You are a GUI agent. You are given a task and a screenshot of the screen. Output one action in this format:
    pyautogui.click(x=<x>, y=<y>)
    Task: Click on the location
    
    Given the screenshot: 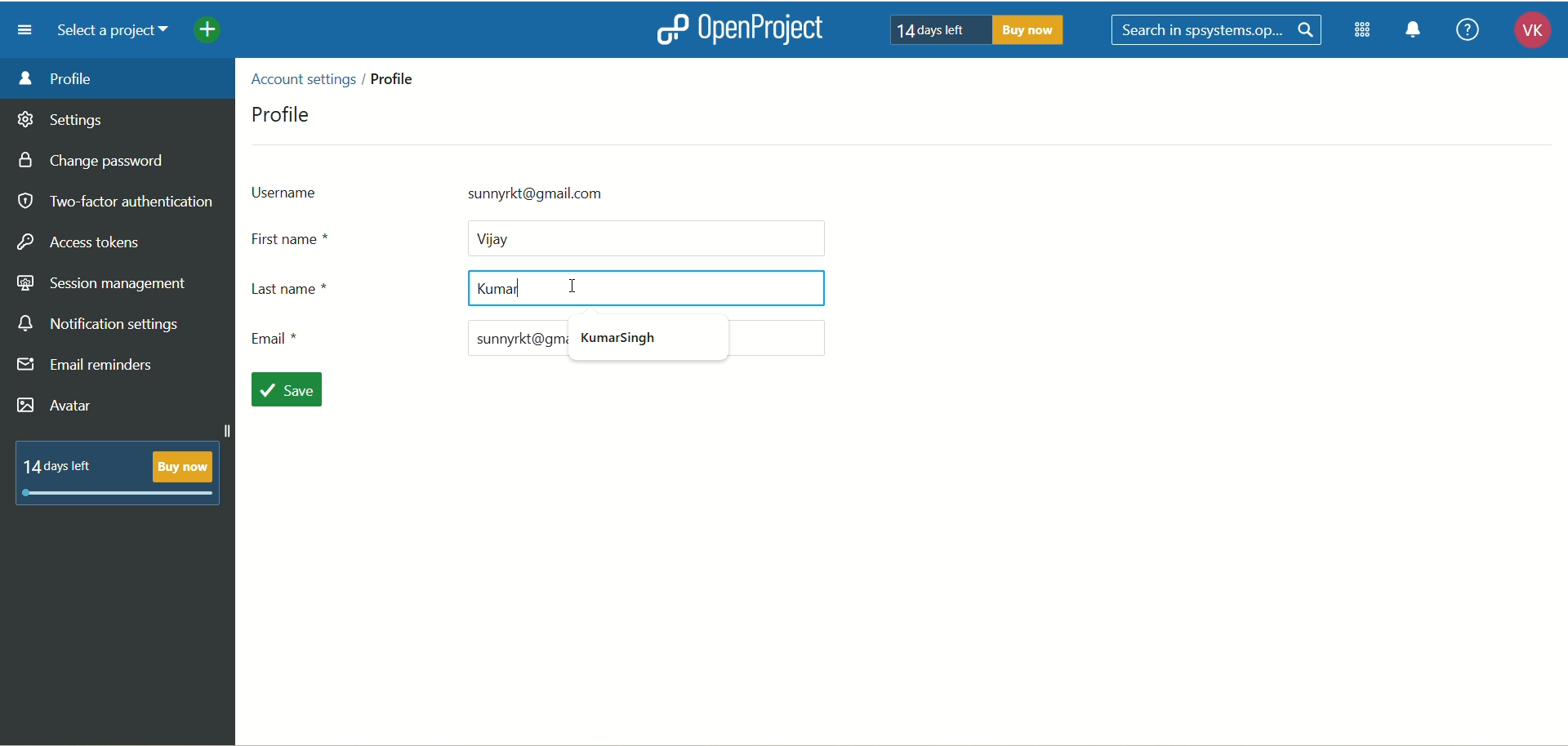 What is the action you would take?
    pyautogui.click(x=340, y=77)
    